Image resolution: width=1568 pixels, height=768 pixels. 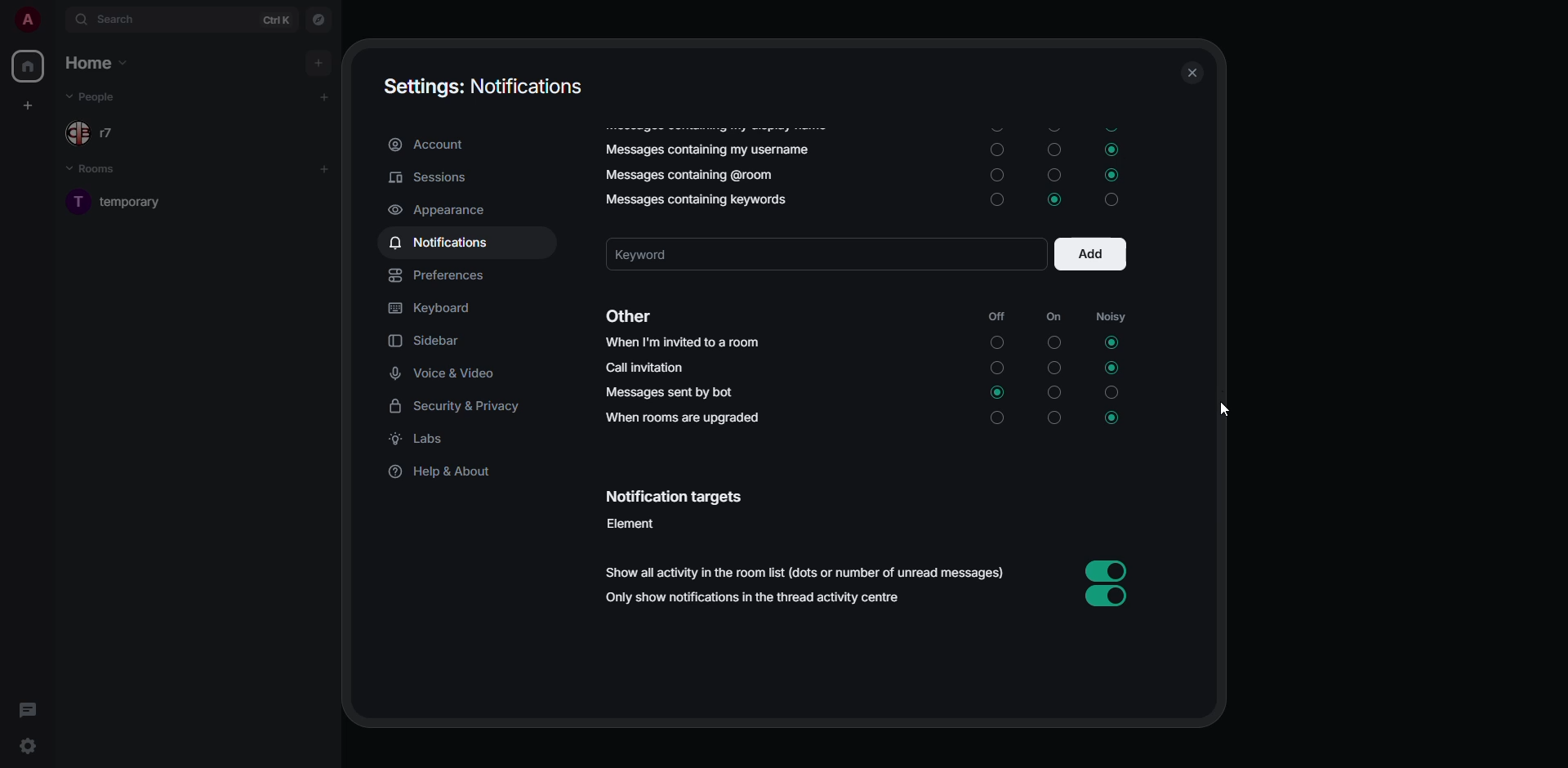 I want to click on off, so click(x=1054, y=175).